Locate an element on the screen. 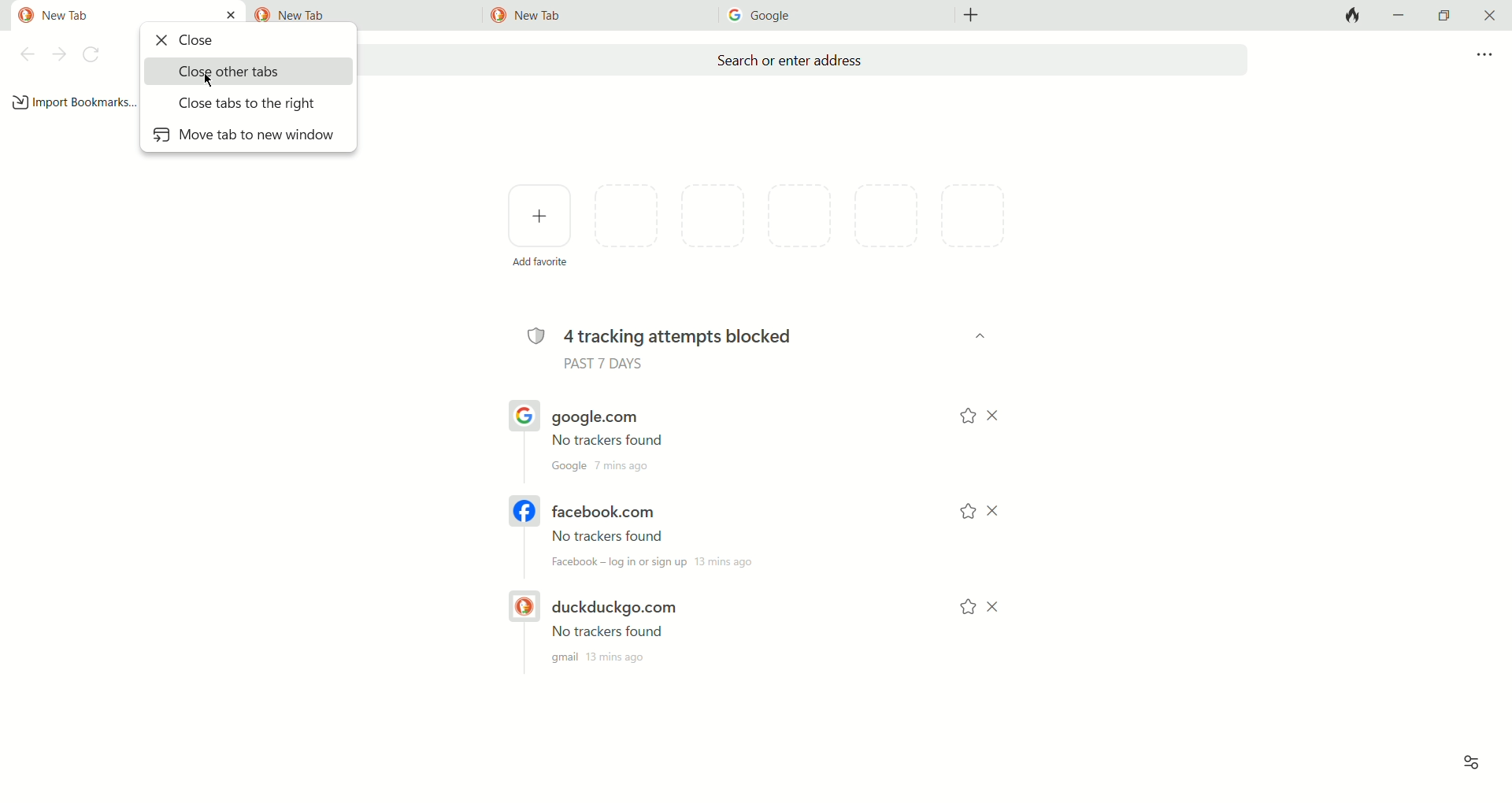 This screenshot has height=803, width=1512. add to favorites is located at coordinates (965, 416).